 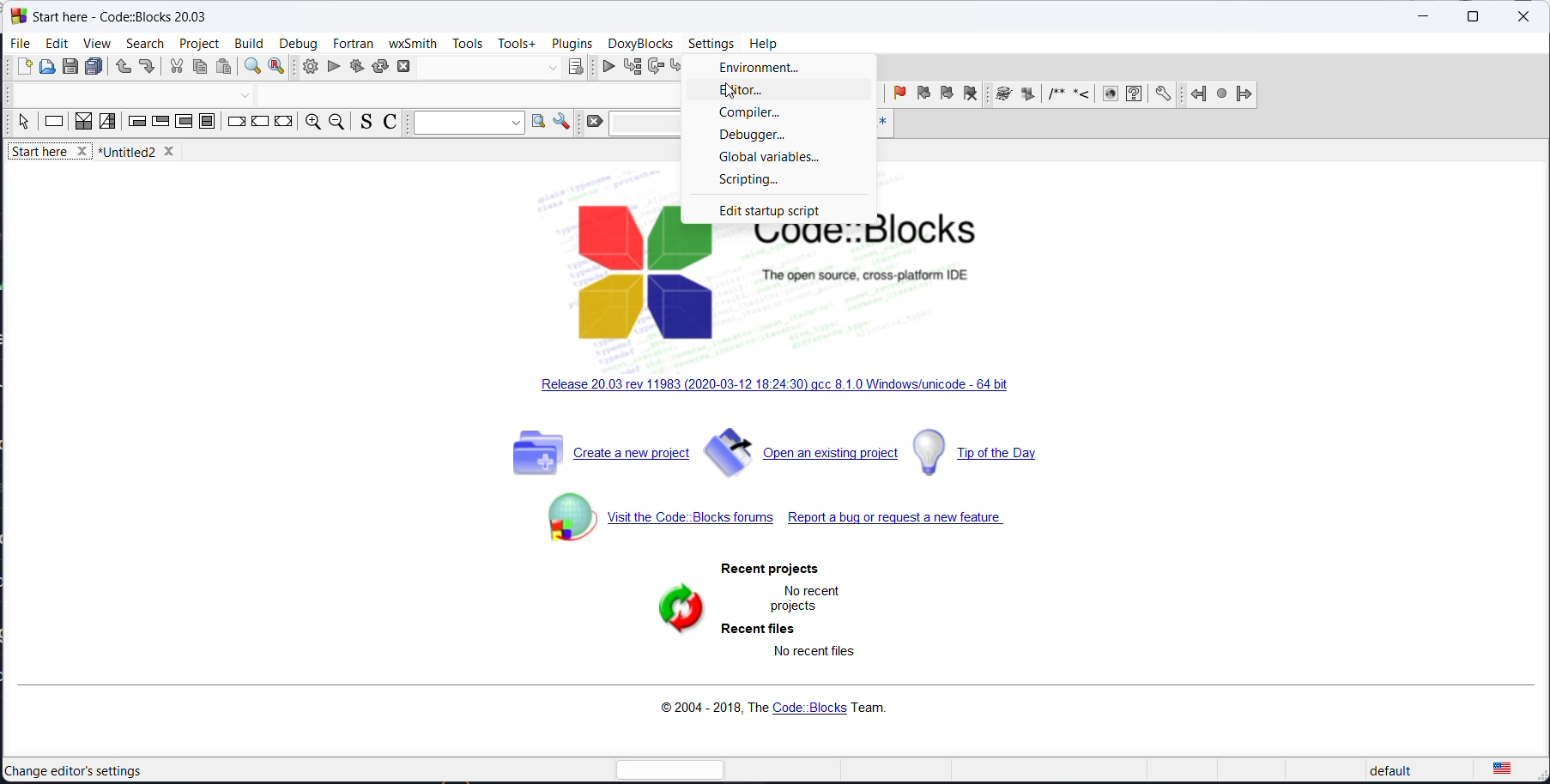 What do you see at coordinates (247, 41) in the screenshot?
I see `Build` at bounding box center [247, 41].